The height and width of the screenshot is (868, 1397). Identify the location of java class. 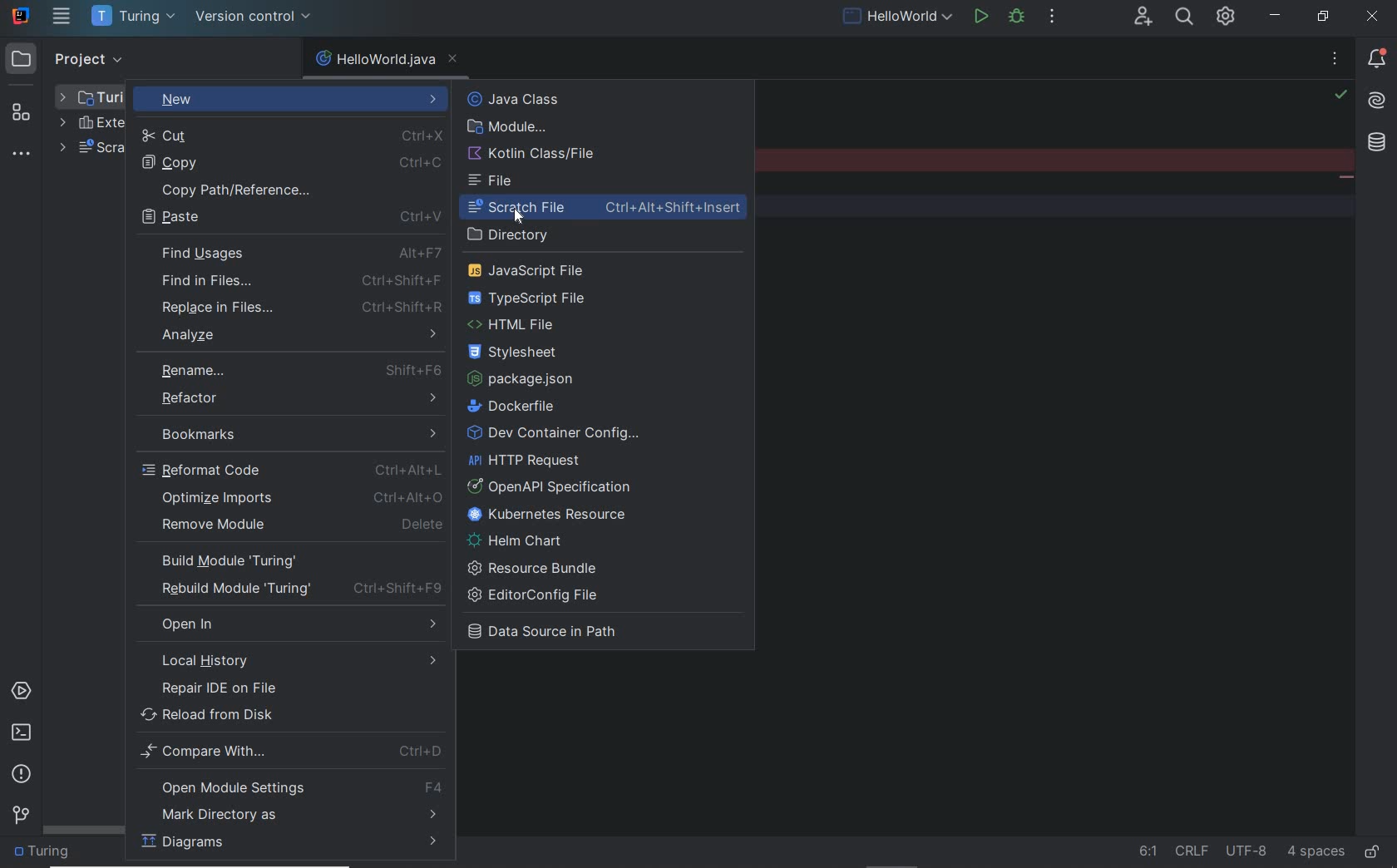
(552, 100).